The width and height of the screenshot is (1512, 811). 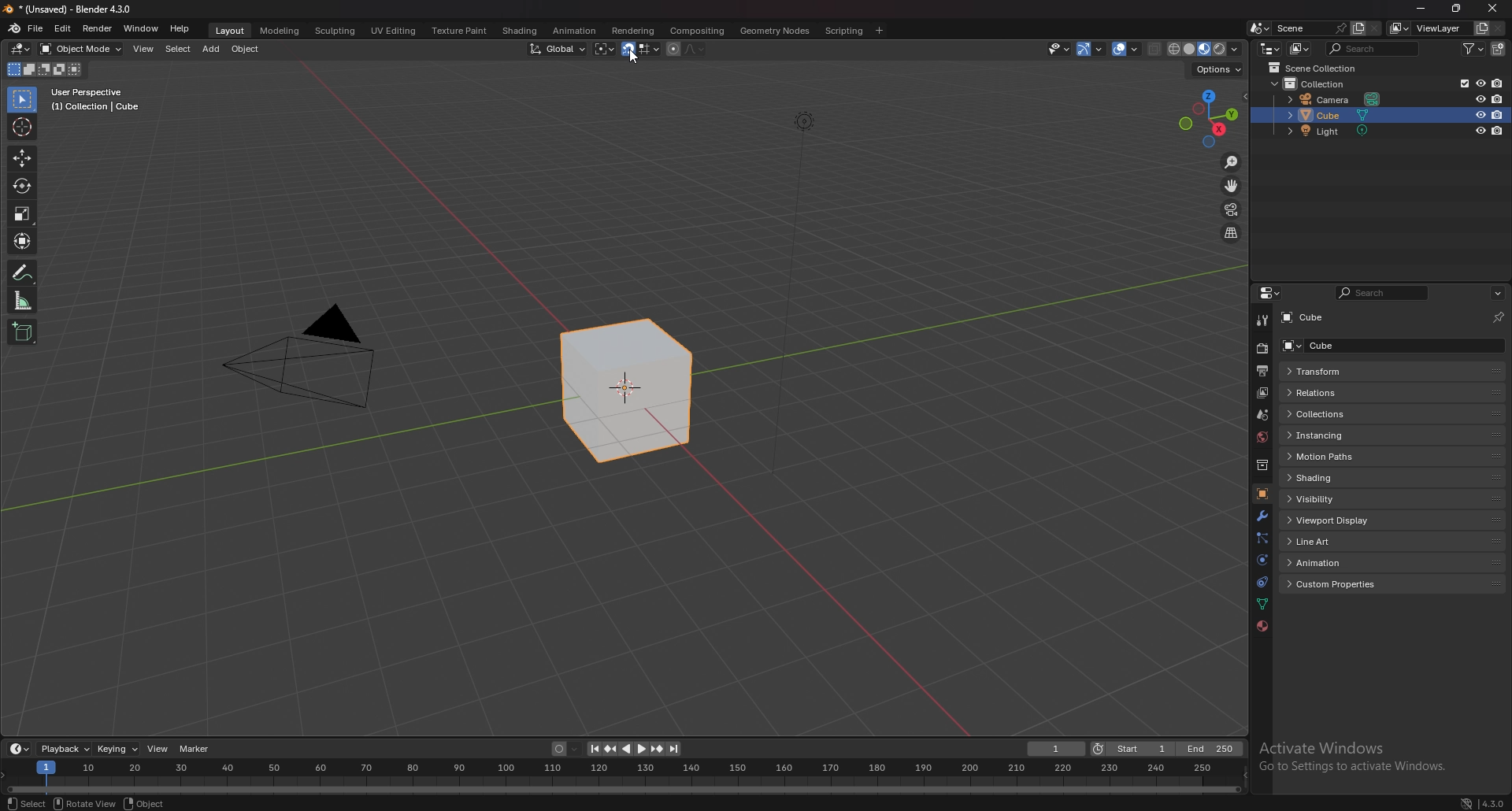 What do you see at coordinates (246, 50) in the screenshot?
I see `object` at bounding box center [246, 50].